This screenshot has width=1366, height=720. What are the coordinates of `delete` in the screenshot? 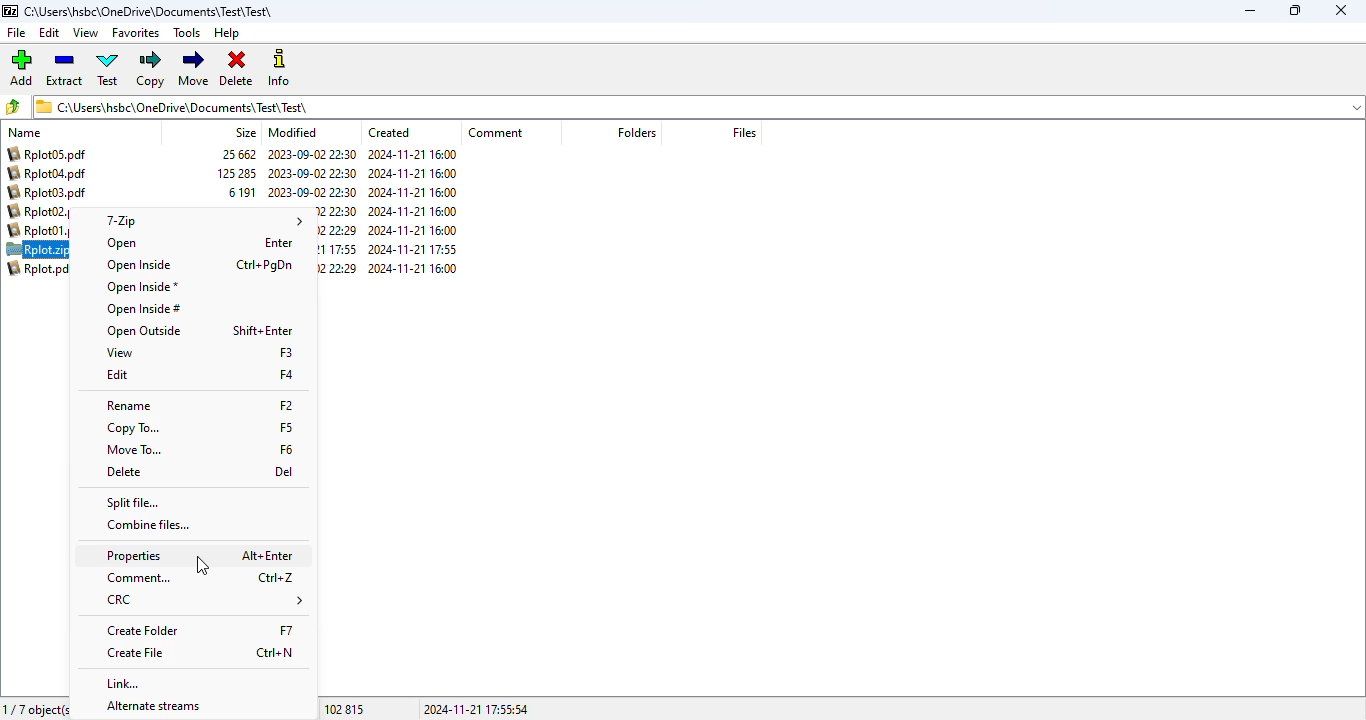 It's located at (125, 473).